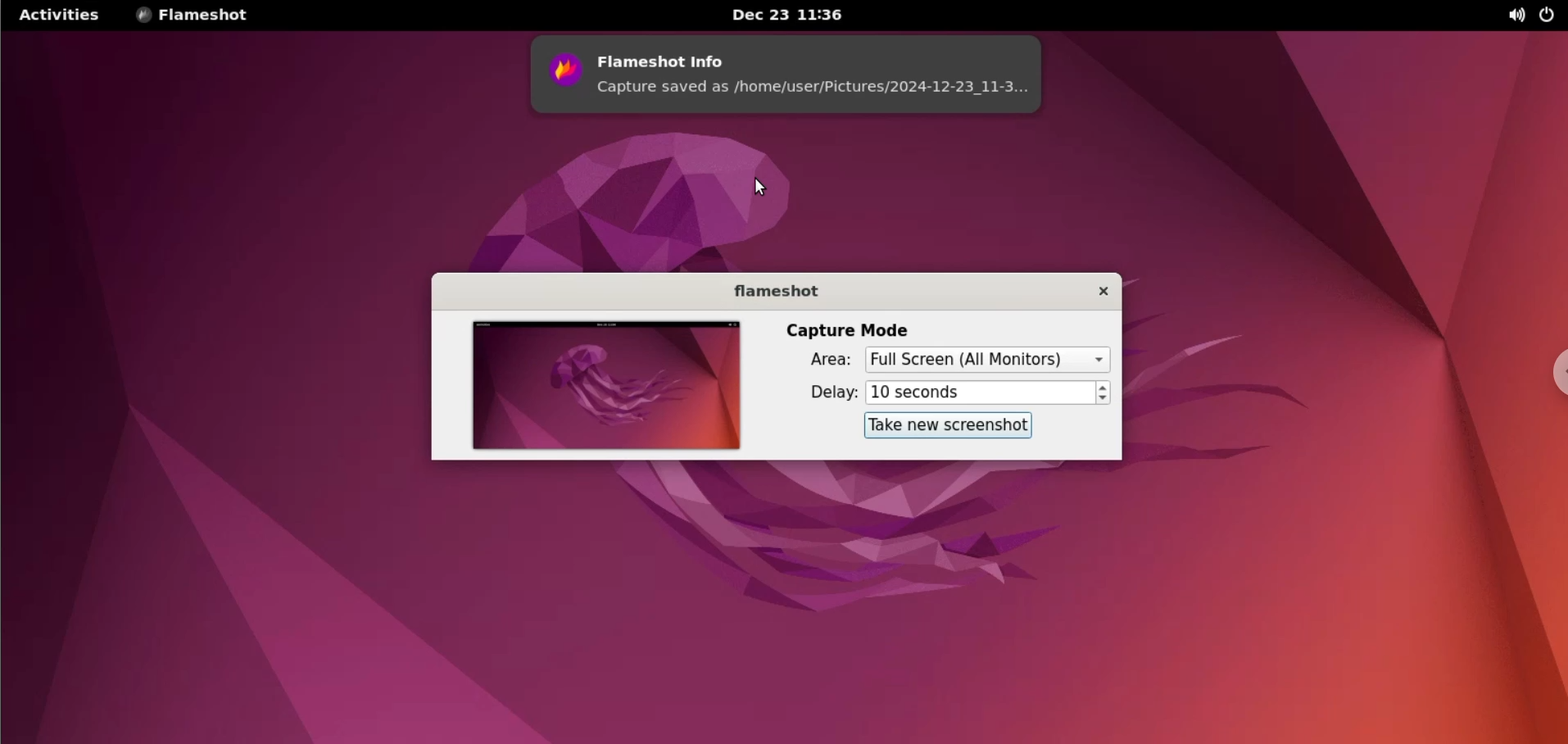 This screenshot has width=1568, height=744. Describe the element at coordinates (603, 388) in the screenshot. I see `screenshot preview` at that location.